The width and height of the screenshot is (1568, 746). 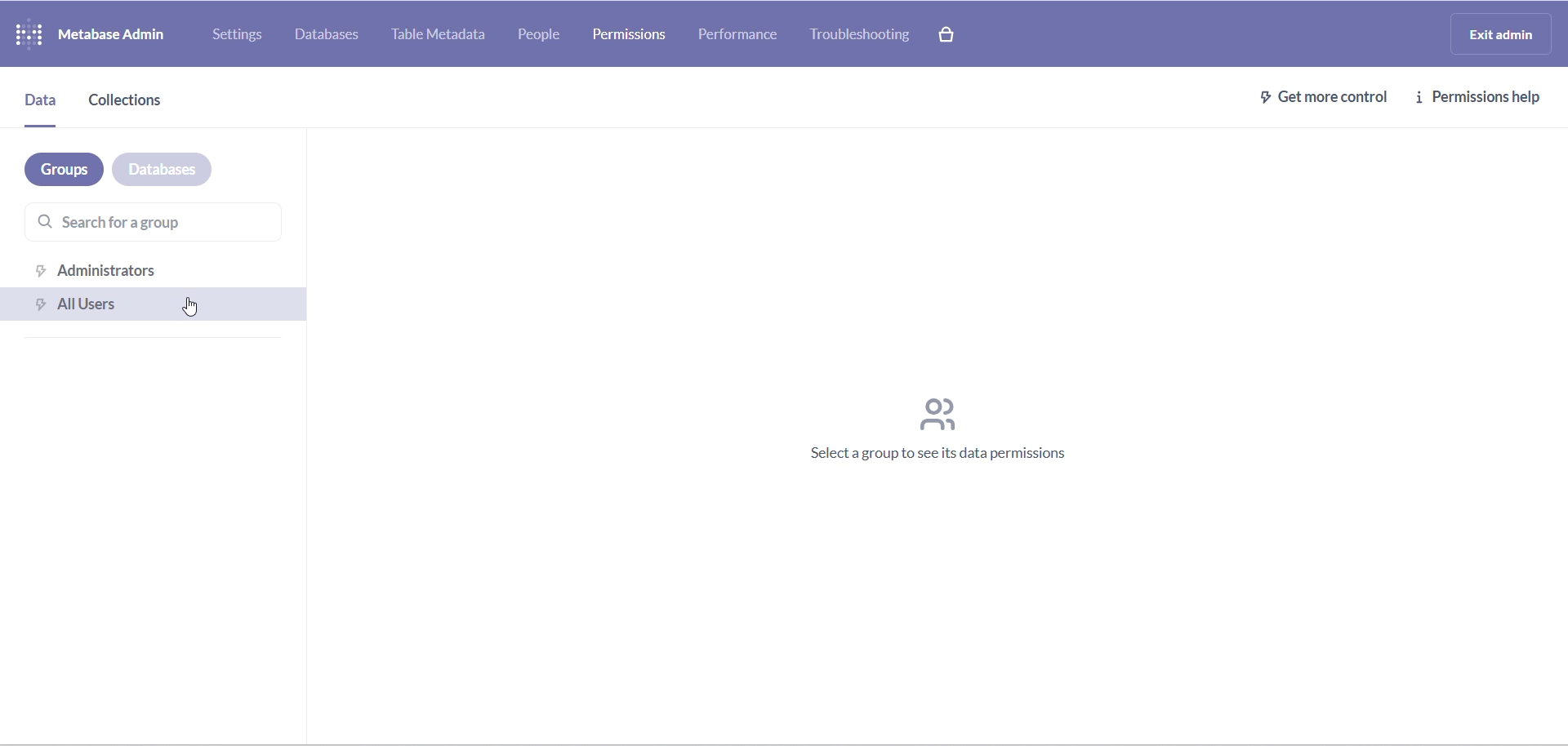 What do you see at coordinates (58, 171) in the screenshot?
I see `groups` at bounding box center [58, 171].